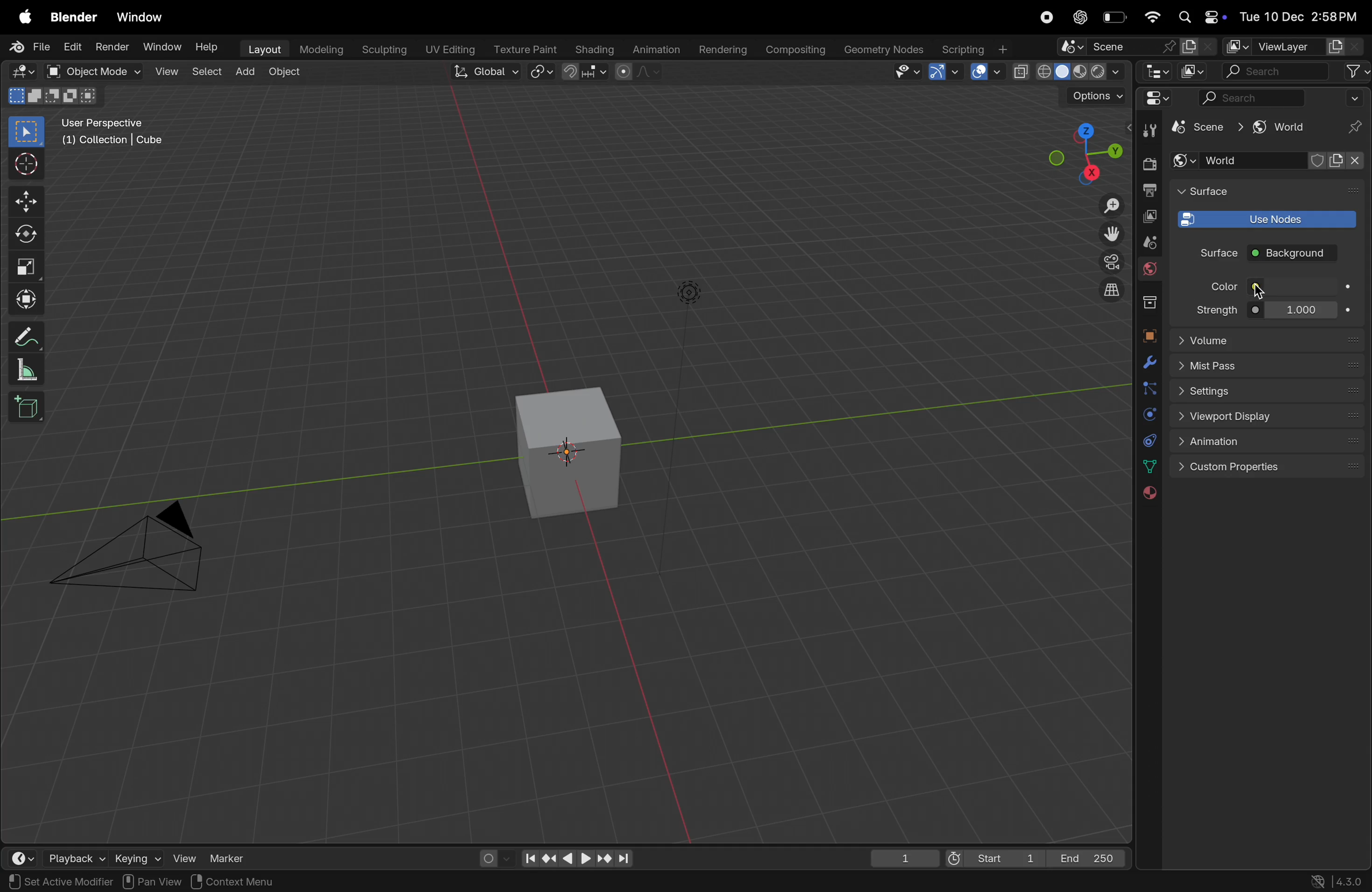 This screenshot has height=892, width=1372. What do you see at coordinates (1148, 494) in the screenshot?
I see `material` at bounding box center [1148, 494].